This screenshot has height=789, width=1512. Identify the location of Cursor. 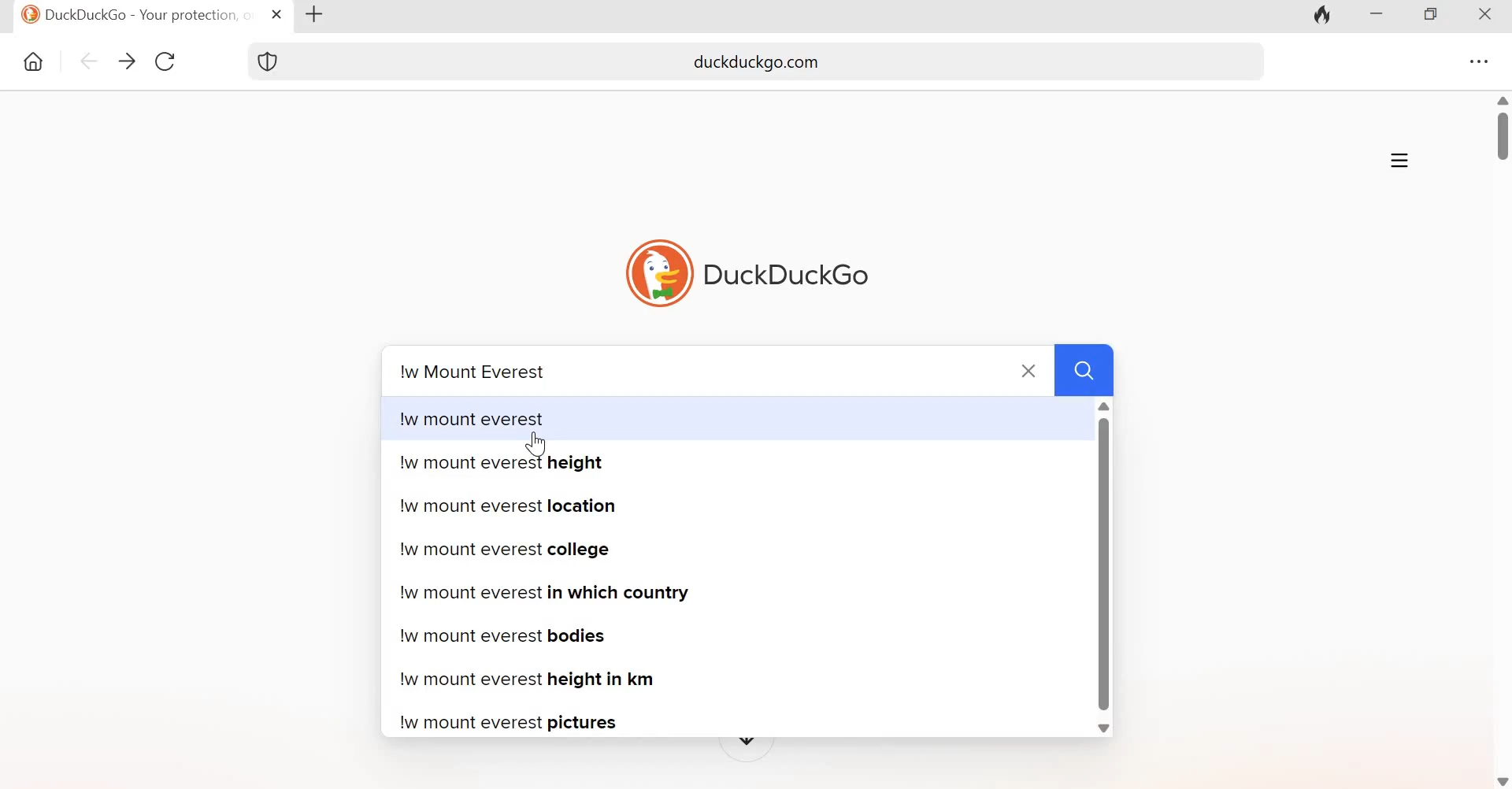
(537, 443).